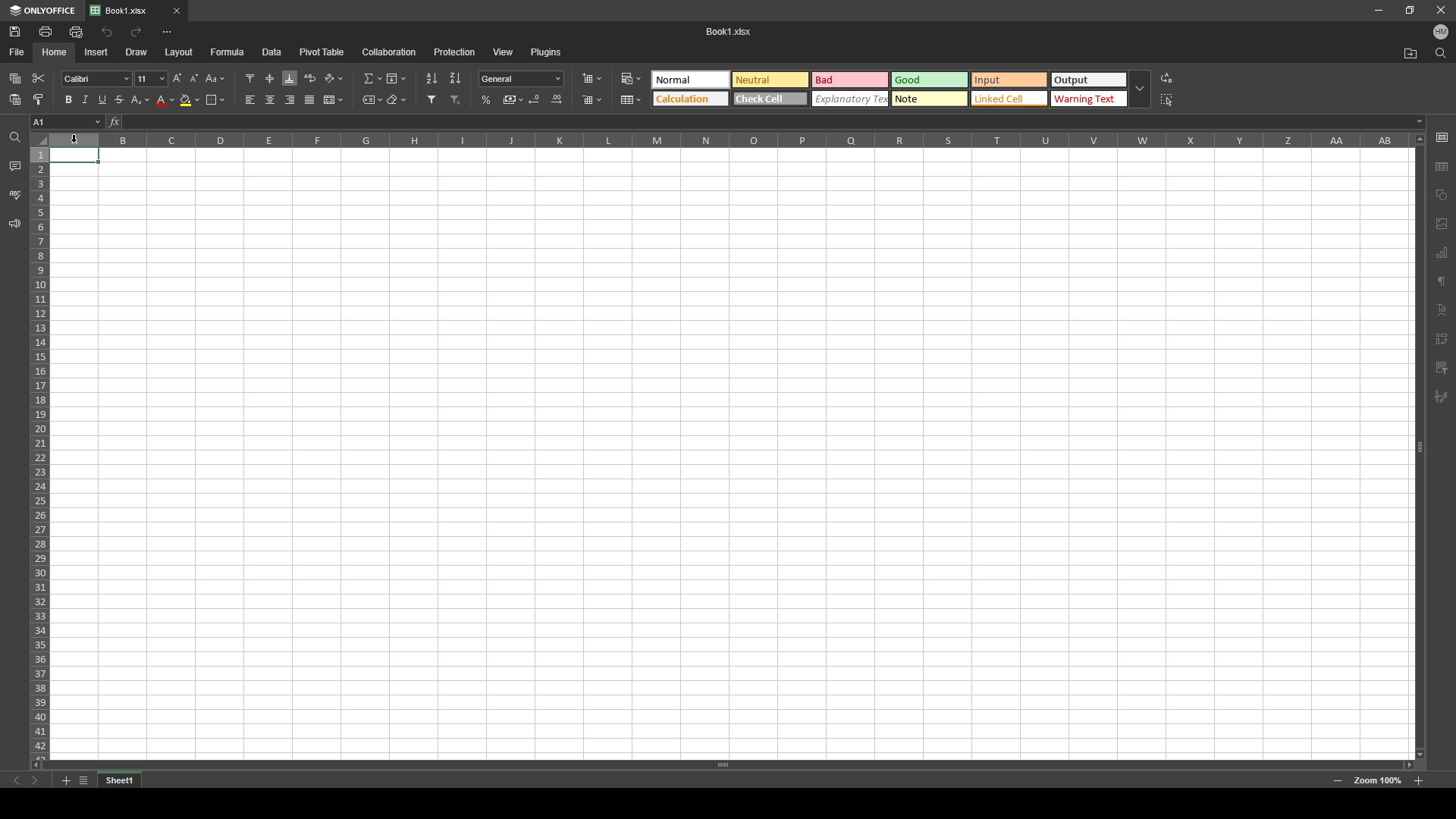 This screenshot has height=819, width=1456. What do you see at coordinates (271, 79) in the screenshot?
I see `align middle` at bounding box center [271, 79].